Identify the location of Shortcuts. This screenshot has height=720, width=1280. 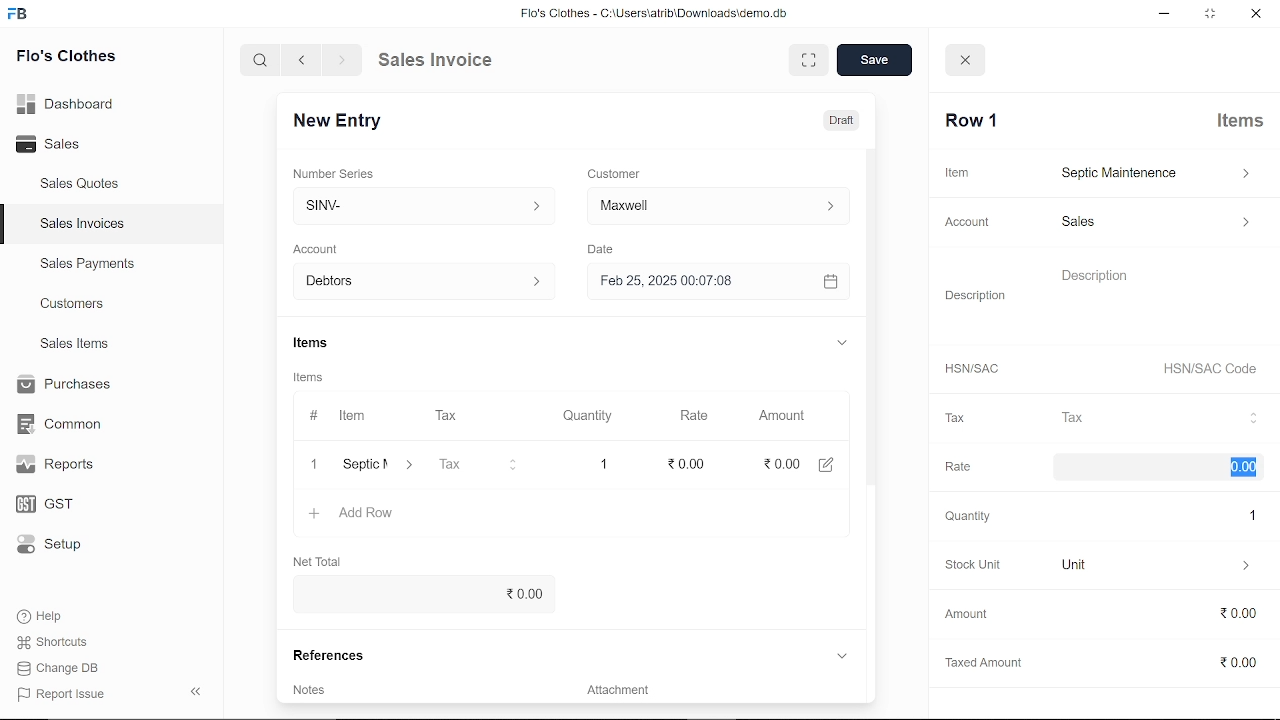
(54, 642).